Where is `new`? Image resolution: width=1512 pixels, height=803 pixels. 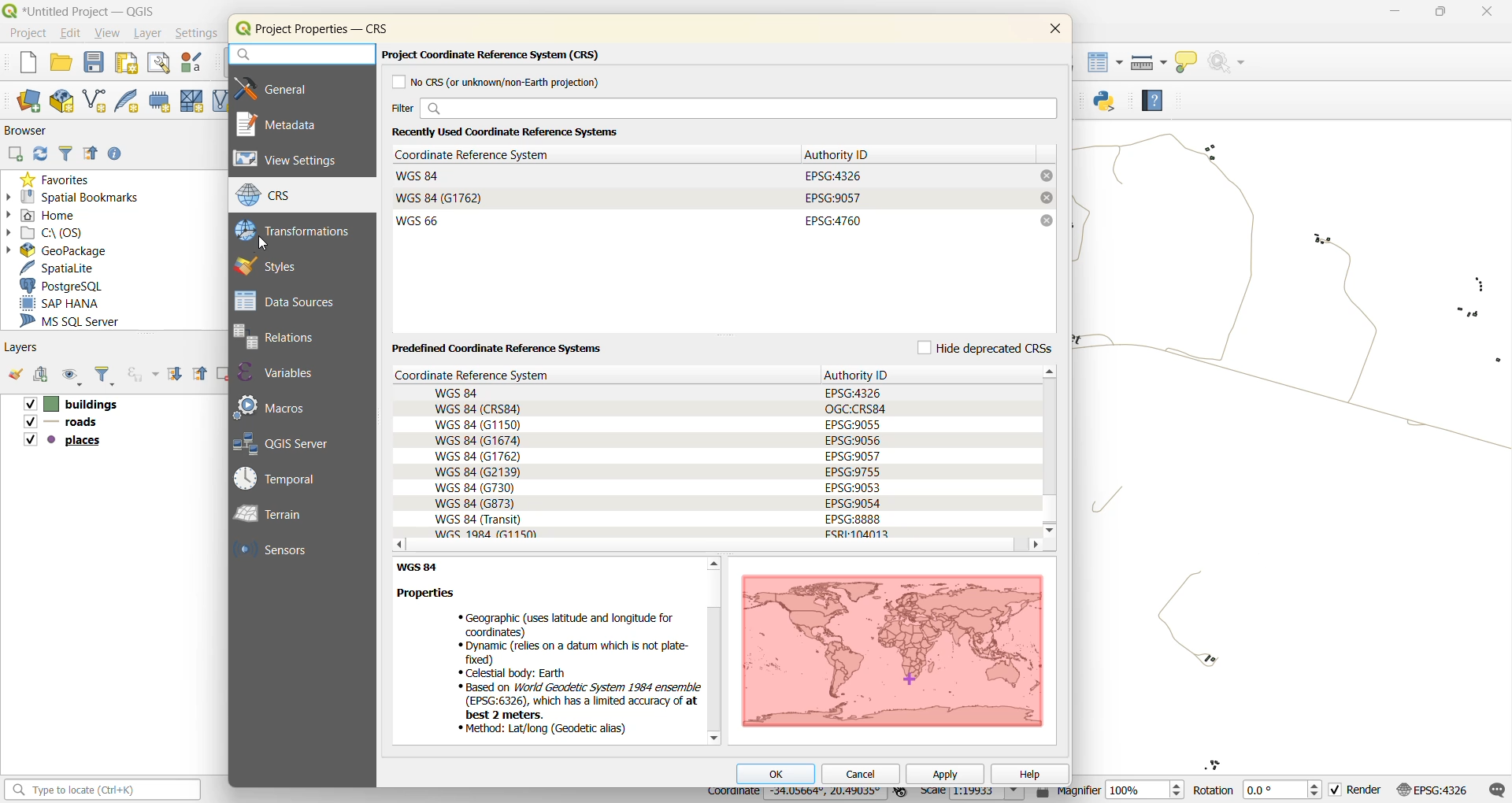
new is located at coordinates (25, 65).